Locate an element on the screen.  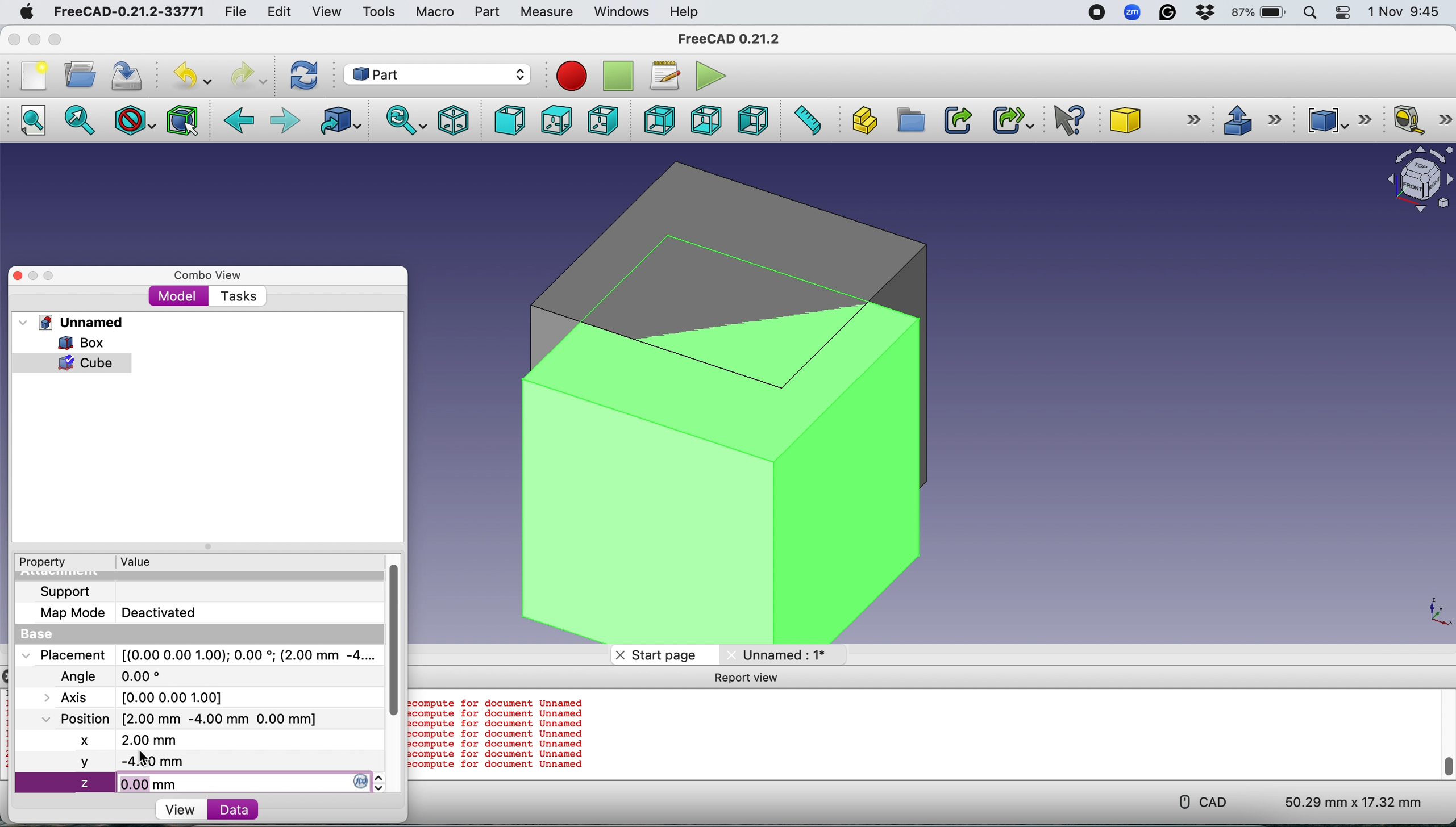
Position [2.00 mm -4.00 mm 0.00 mm] is located at coordinates (176, 720).